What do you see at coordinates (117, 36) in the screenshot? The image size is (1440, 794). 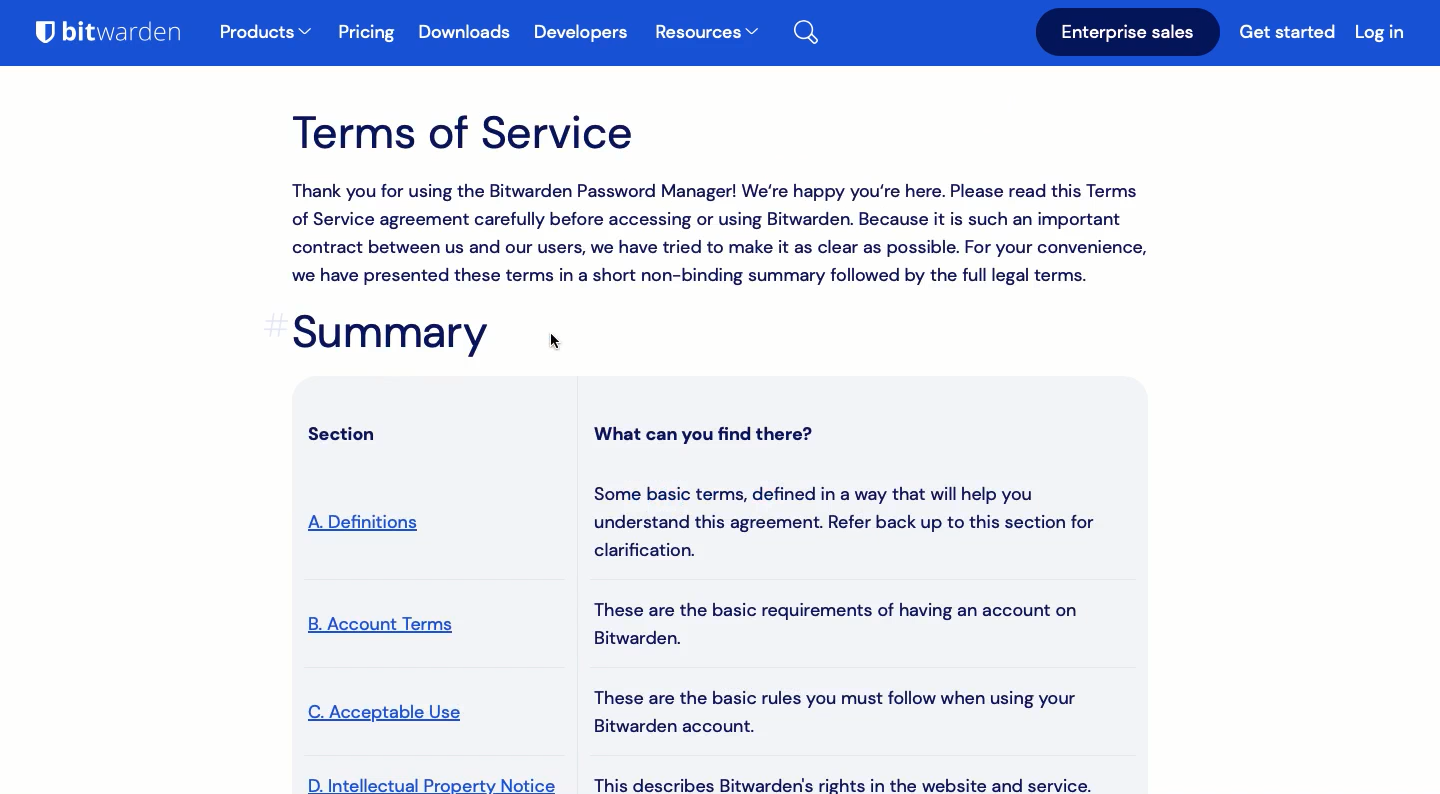 I see `Bitwarden` at bounding box center [117, 36].